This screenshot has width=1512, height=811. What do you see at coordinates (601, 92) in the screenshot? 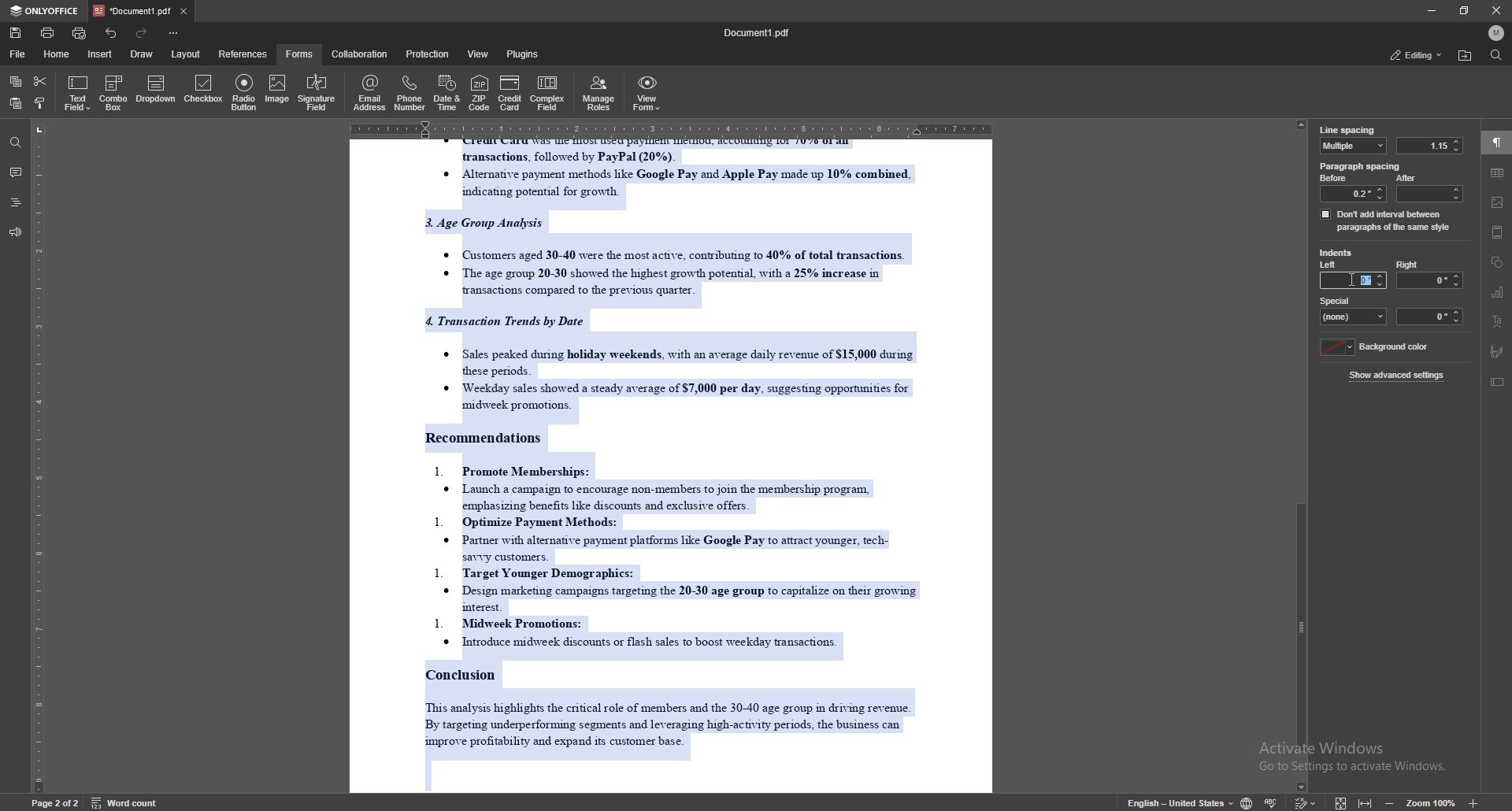
I see `manage roles` at bounding box center [601, 92].